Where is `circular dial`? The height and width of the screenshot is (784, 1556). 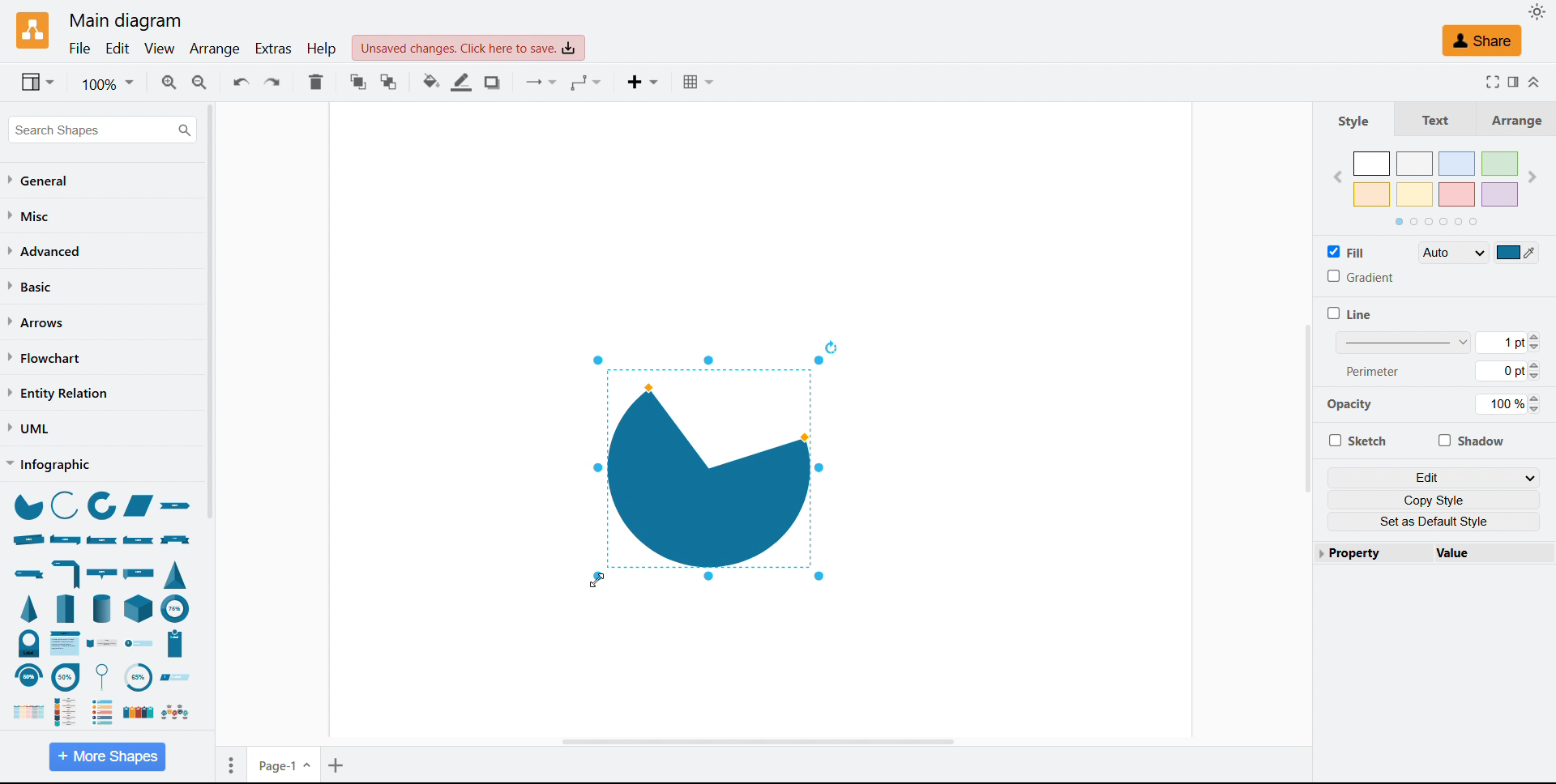
circular dial is located at coordinates (137, 678).